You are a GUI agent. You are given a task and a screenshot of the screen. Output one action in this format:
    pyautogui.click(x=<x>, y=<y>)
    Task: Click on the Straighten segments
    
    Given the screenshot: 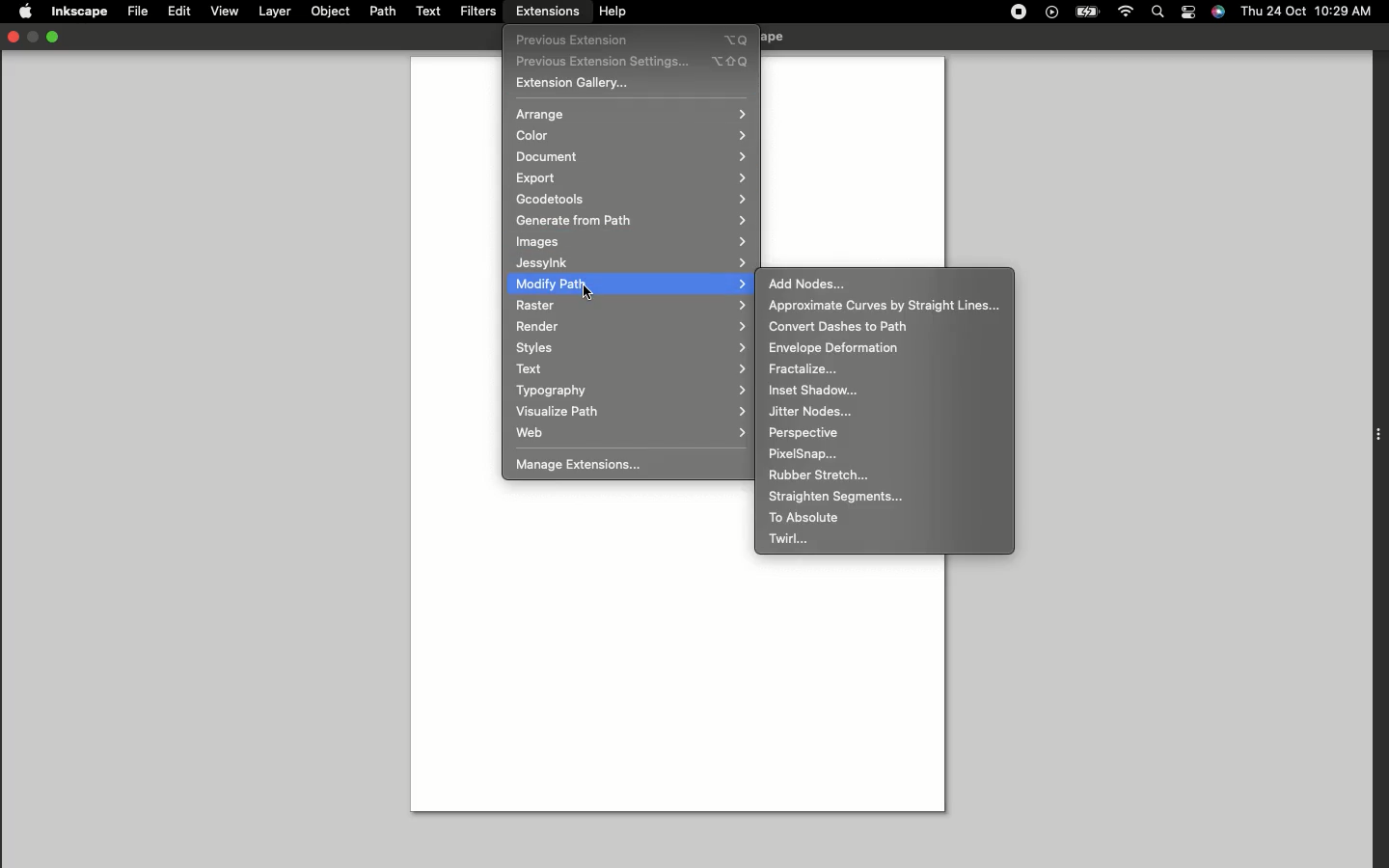 What is the action you would take?
    pyautogui.click(x=833, y=496)
    